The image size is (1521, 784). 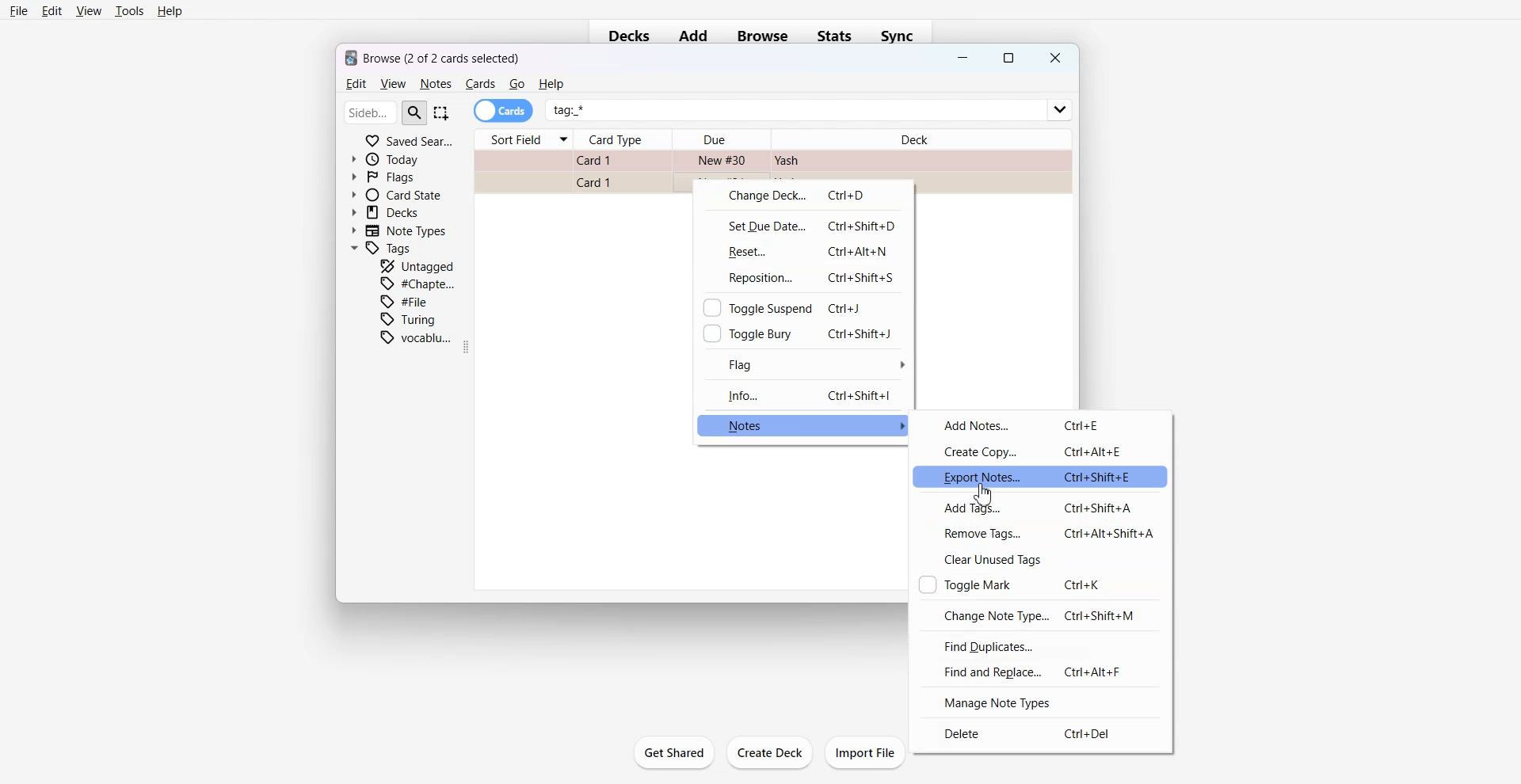 I want to click on Due, so click(x=722, y=139).